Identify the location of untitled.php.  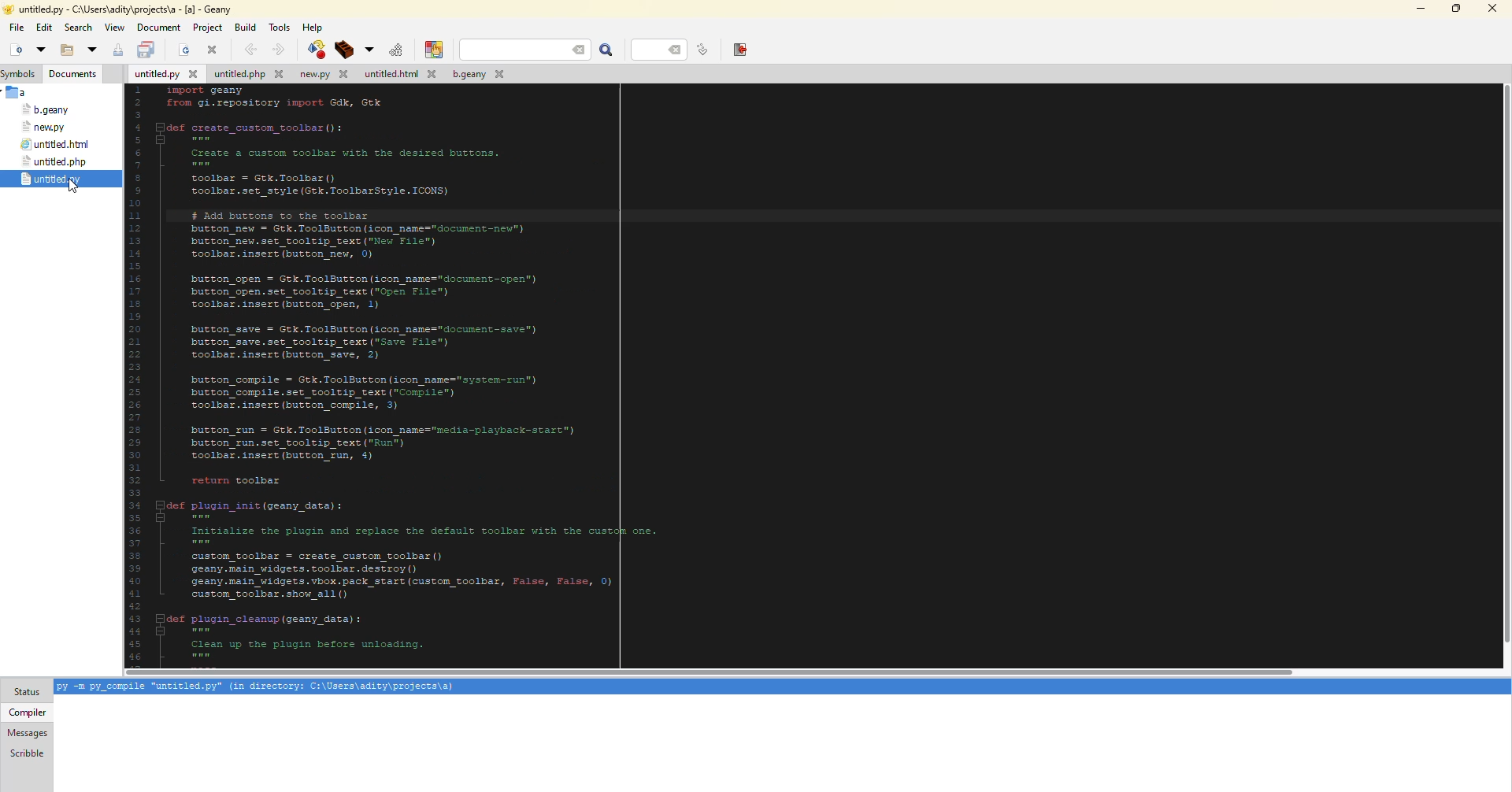
(251, 73).